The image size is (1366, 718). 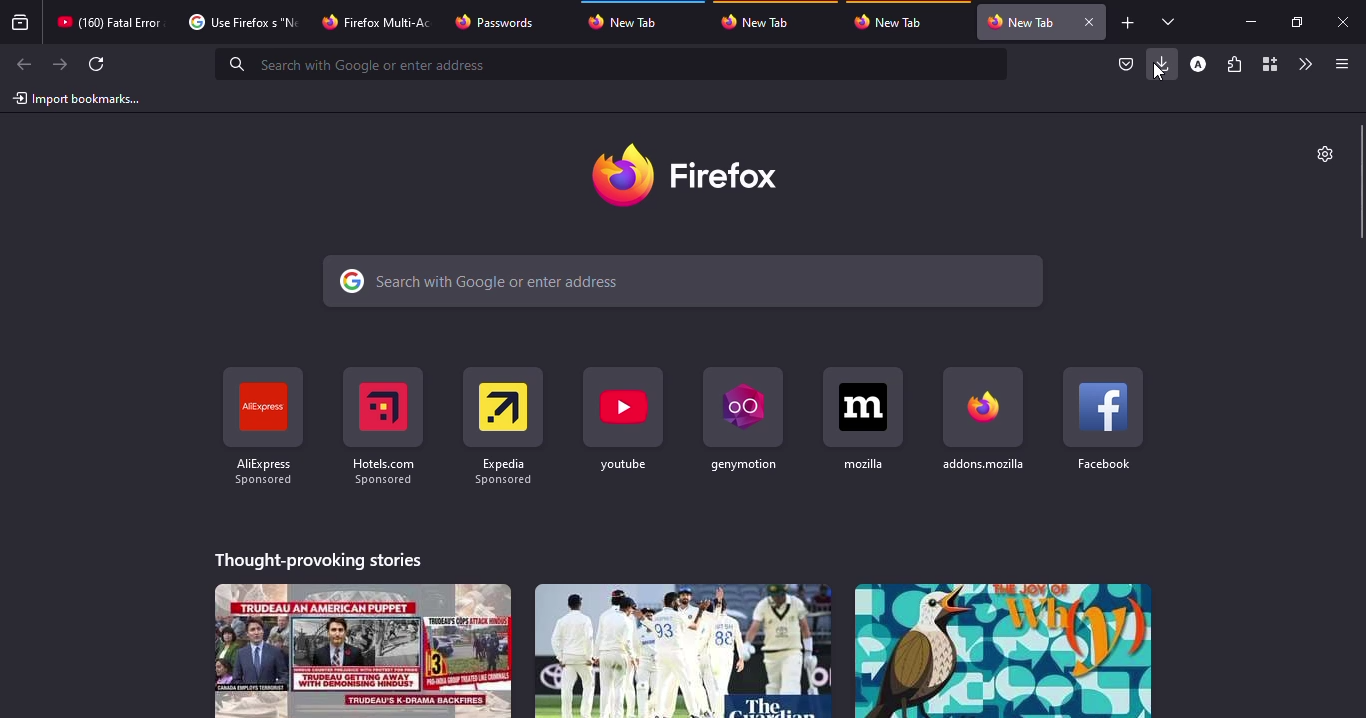 What do you see at coordinates (1002, 650) in the screenshot?
I see `stories` at bounding box center [1002, 650].